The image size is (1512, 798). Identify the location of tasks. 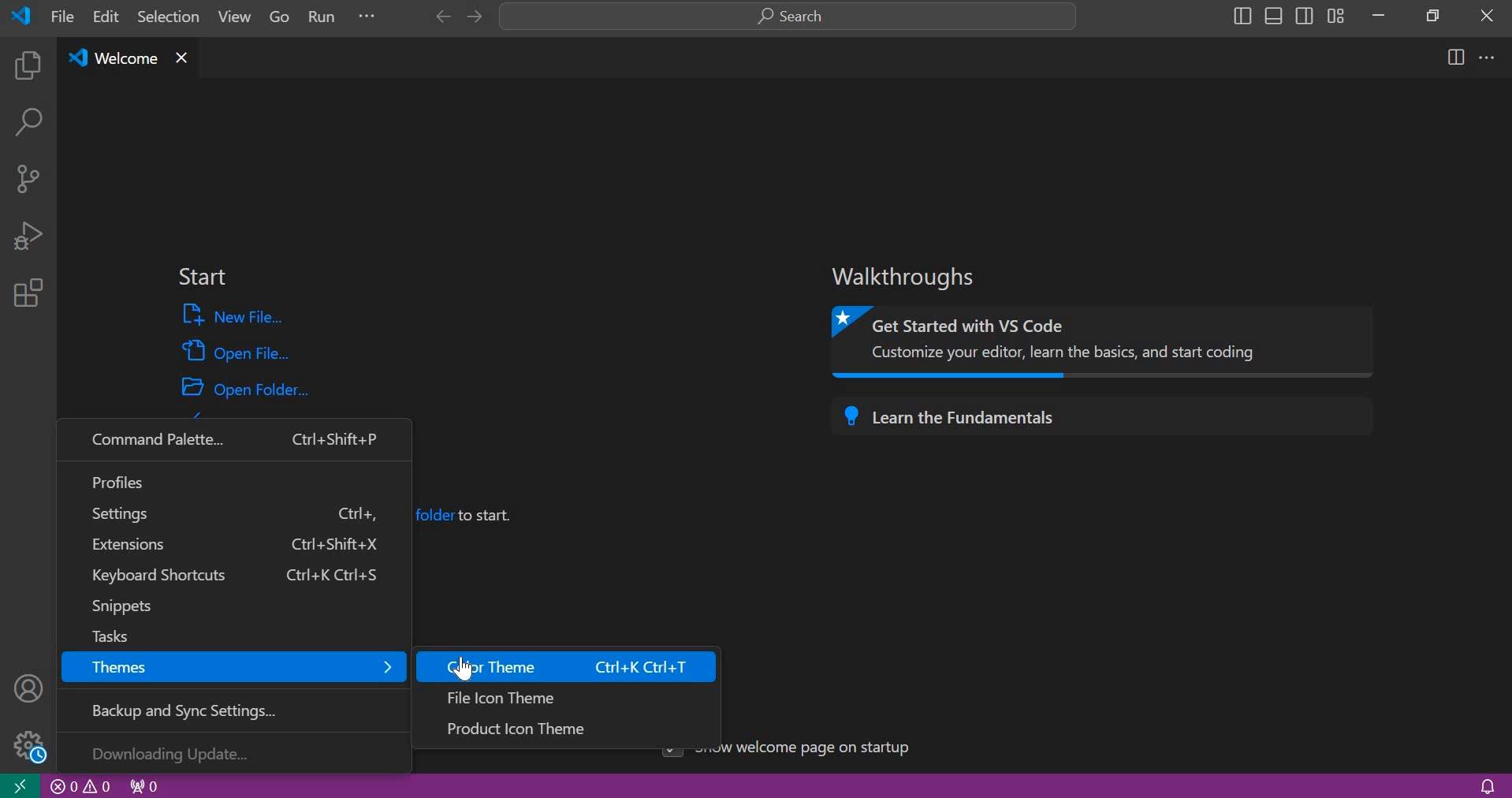
(222, 633).